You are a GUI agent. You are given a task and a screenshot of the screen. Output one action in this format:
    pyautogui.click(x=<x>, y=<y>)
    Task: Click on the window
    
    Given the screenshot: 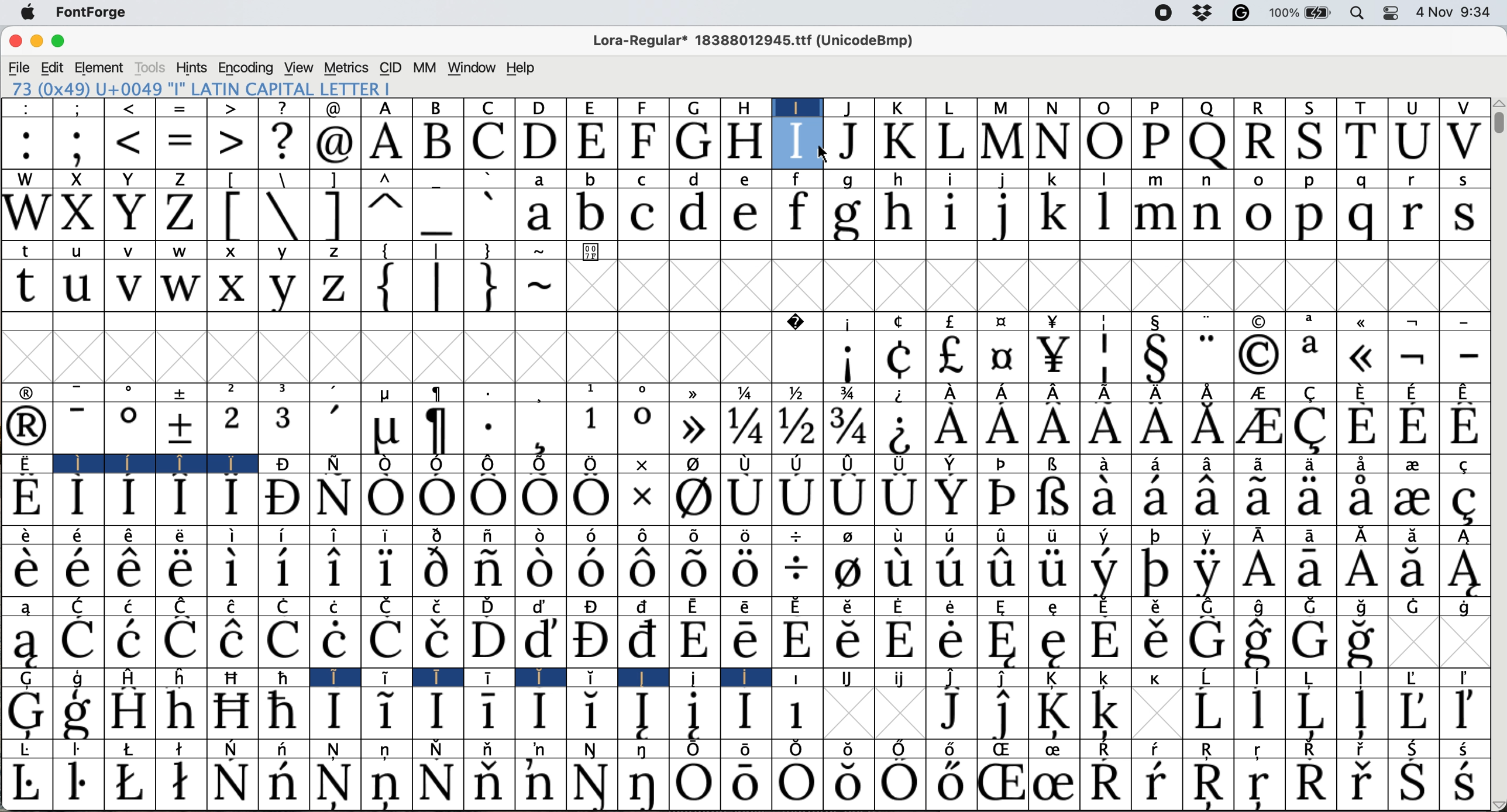 What is the action you would take?
    pyautogui.click(x=472, y=68)
    